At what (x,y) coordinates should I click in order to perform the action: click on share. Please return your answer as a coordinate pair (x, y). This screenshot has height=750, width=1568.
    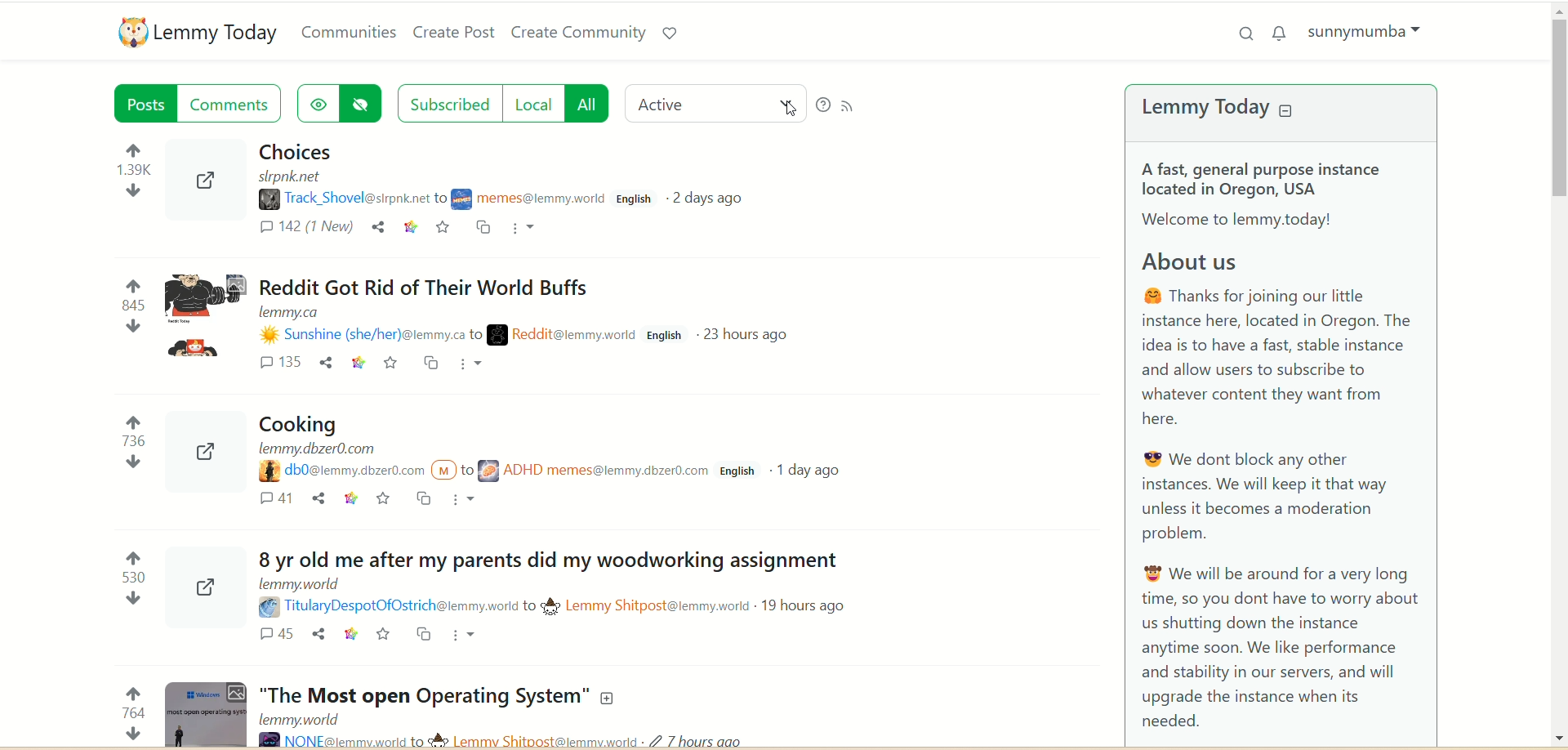
    Looking at the image, I should click on (381, 228).